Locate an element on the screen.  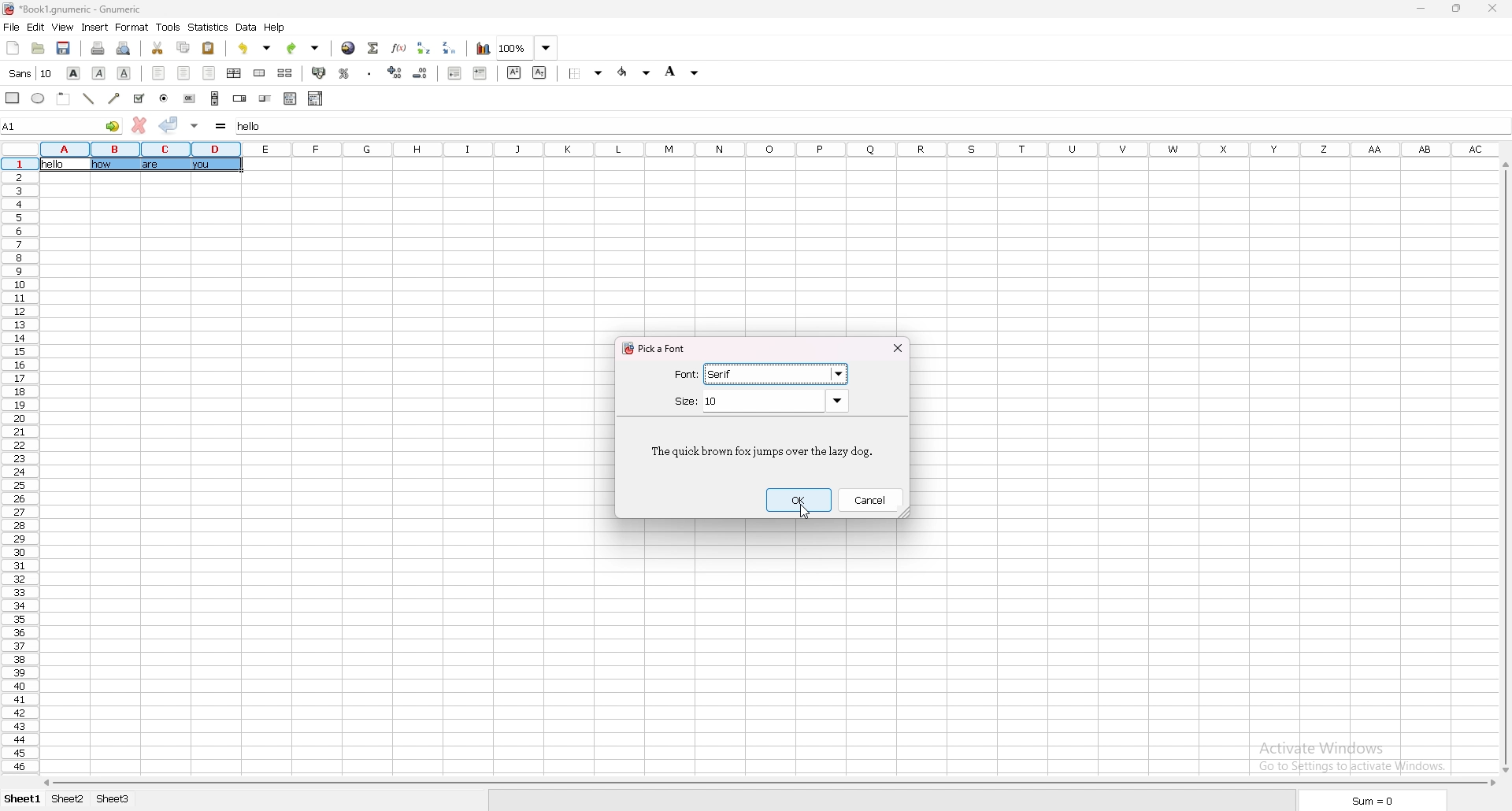
border is located at coordinates (586, 73).